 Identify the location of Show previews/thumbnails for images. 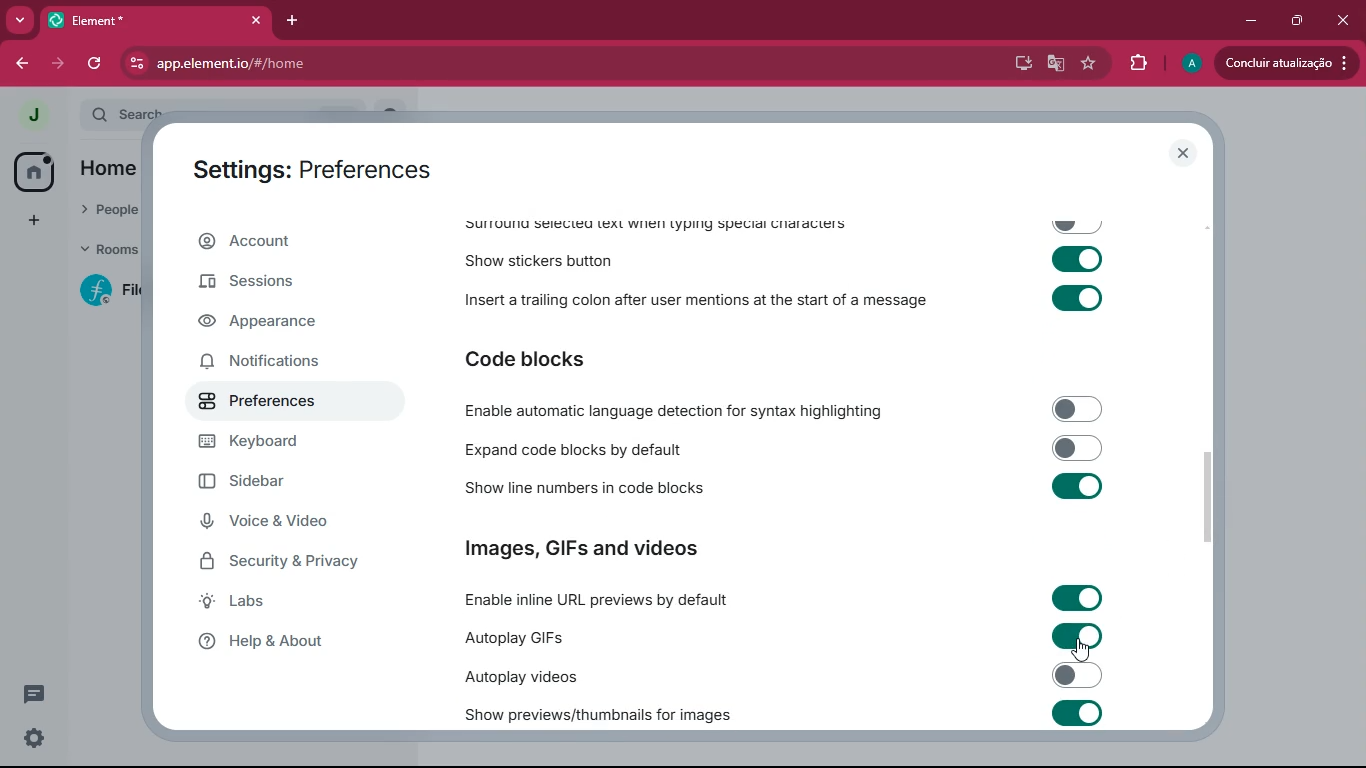
(786, 713).